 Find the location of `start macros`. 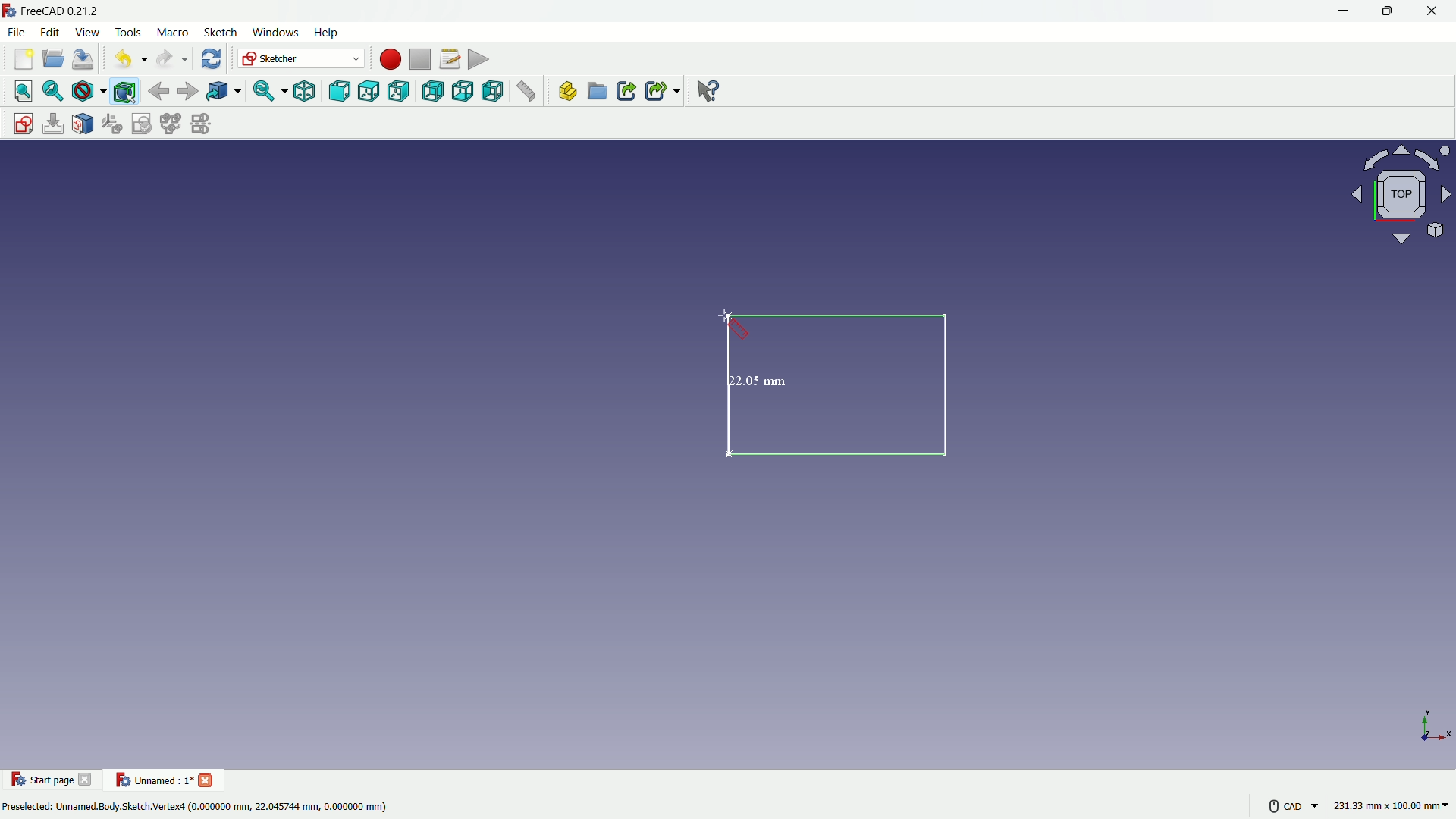

start macros is located at coordinates (388, 58).